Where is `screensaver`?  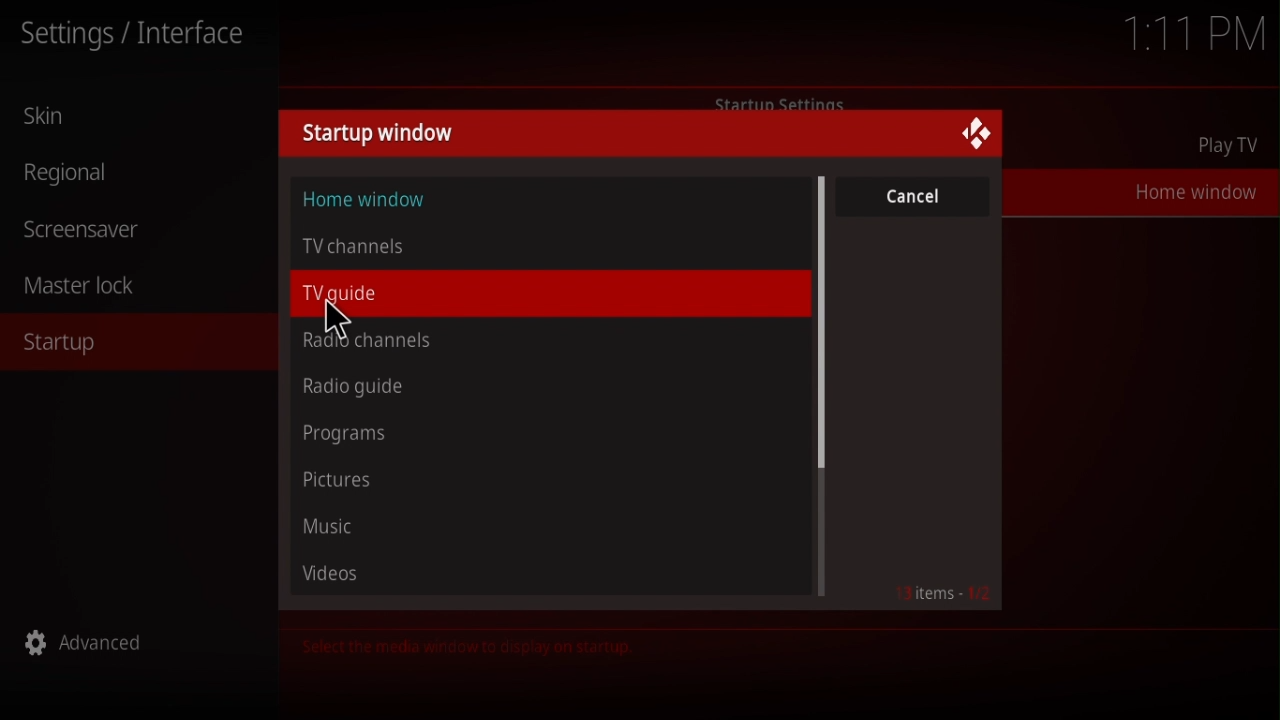
screensaver is located at coordinates (80, 225).